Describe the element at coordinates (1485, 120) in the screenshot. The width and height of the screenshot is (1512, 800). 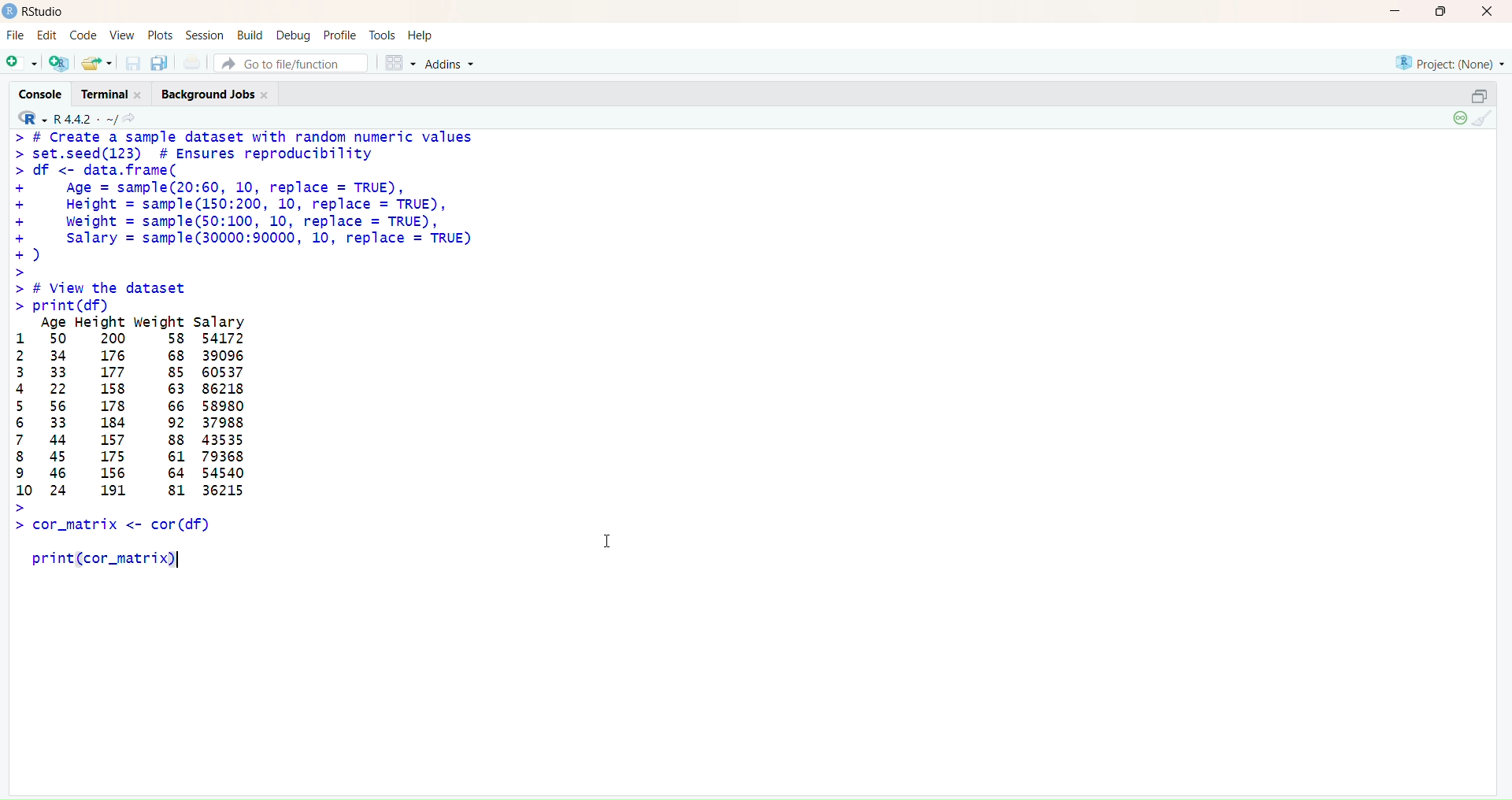
I see `Clear Console (Ctrl + L)` at that location.